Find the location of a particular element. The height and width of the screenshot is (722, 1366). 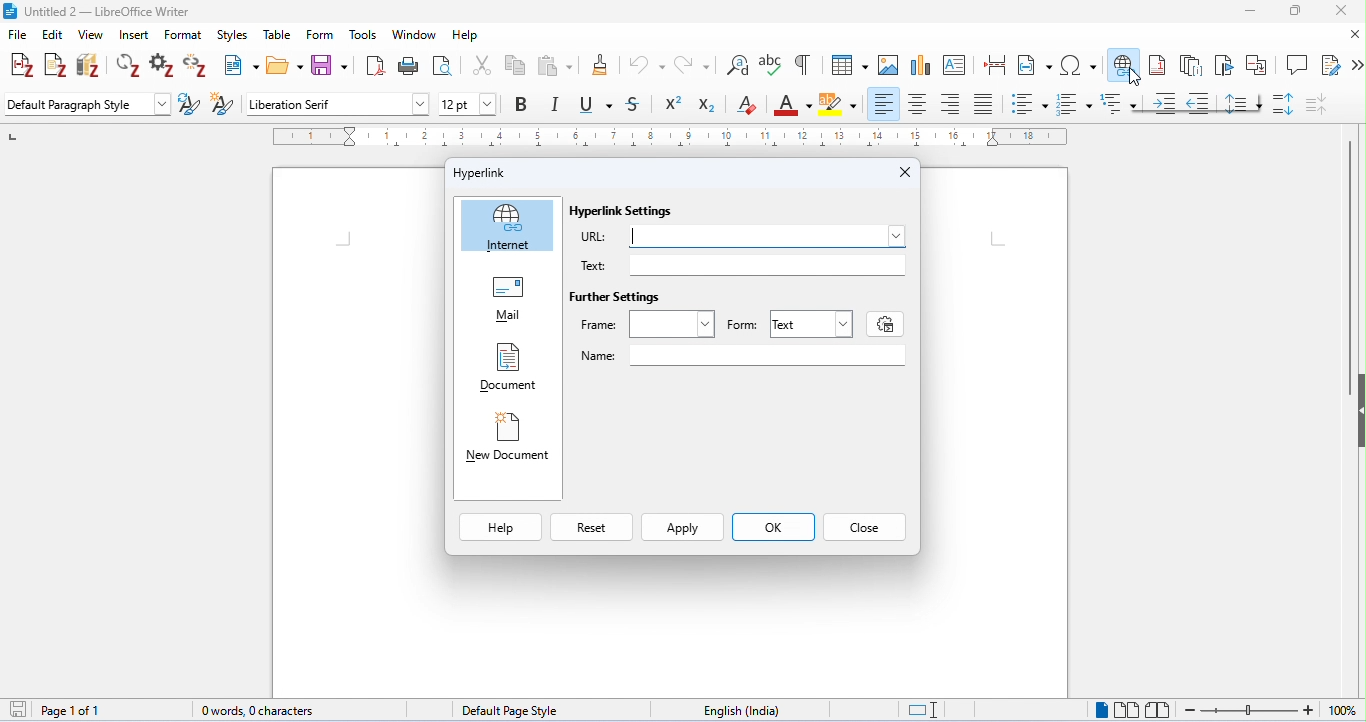

cut is located at coordinates (482, 64).